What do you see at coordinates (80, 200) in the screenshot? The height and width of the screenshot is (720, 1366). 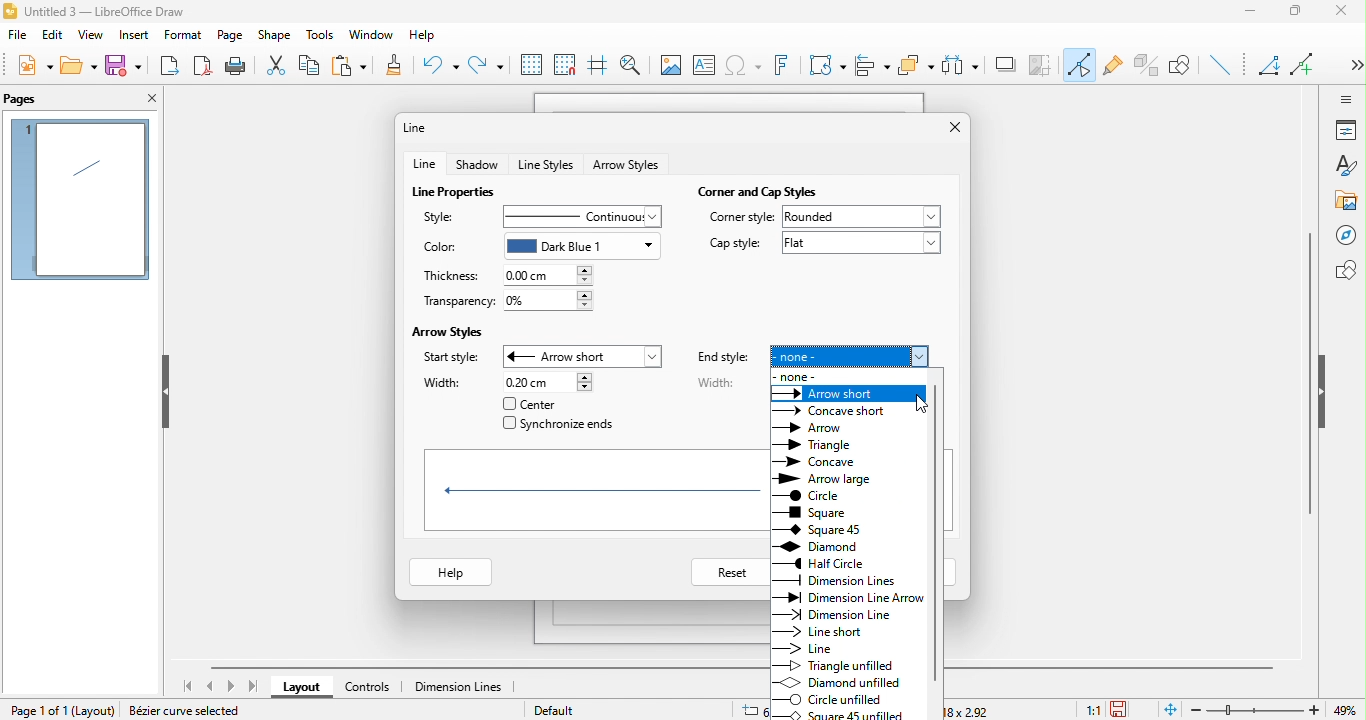 I see `page 1` at bounding box center [80, 200].